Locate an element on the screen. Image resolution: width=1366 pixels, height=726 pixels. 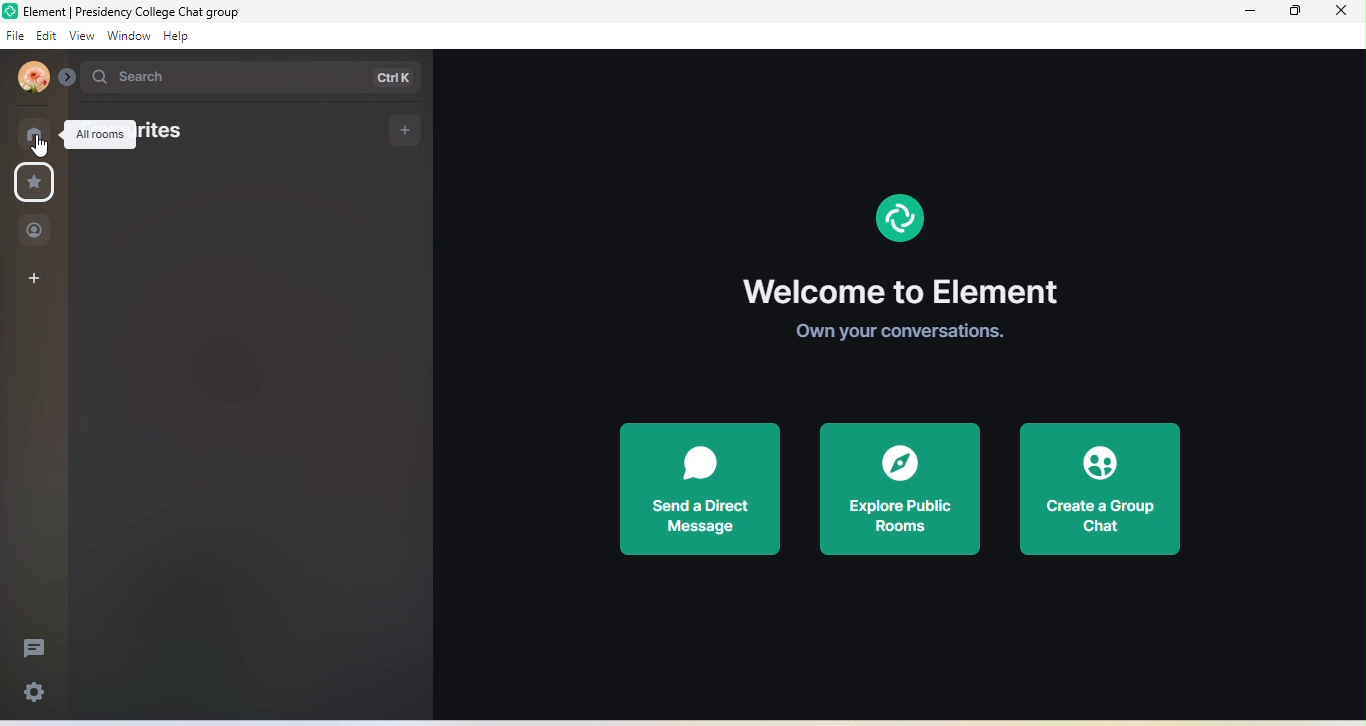
all rooms is located at coordinates (99, 135).